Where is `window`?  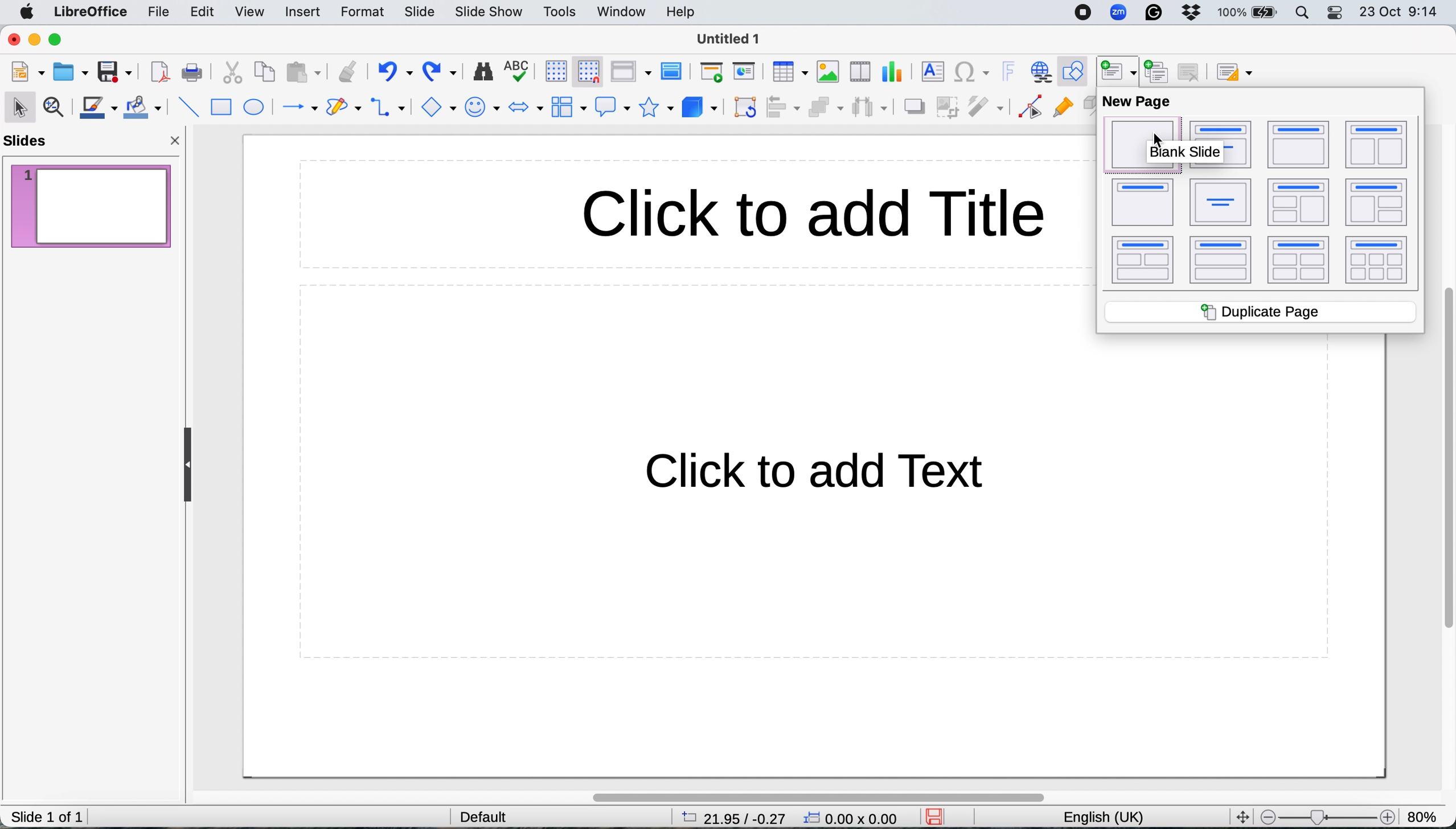 window is located at coordinates (622, 10).